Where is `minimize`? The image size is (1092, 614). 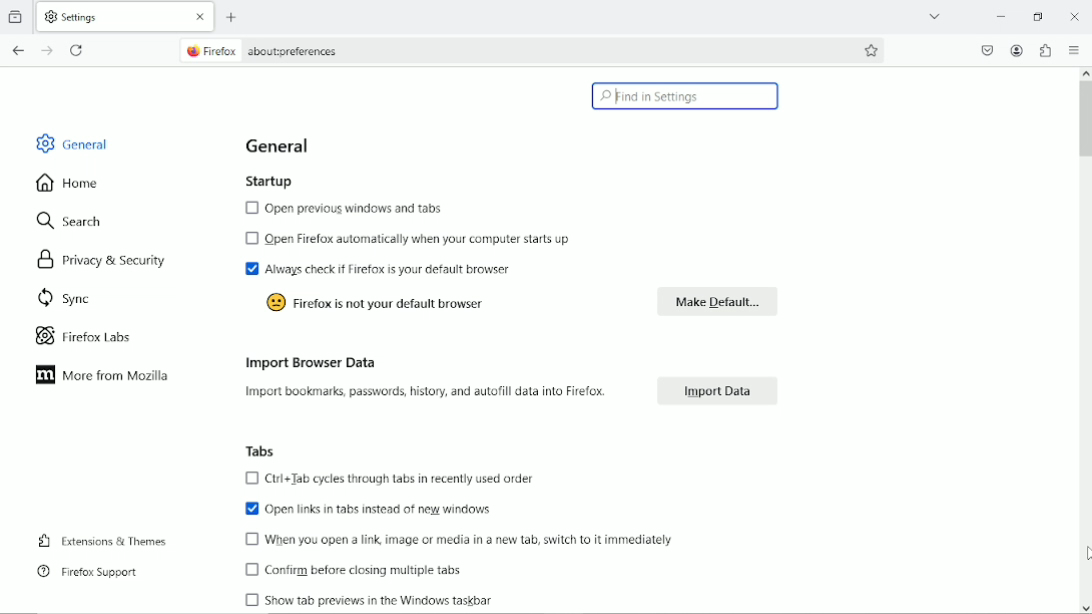 minimize is located at coordinates (1000, 15).